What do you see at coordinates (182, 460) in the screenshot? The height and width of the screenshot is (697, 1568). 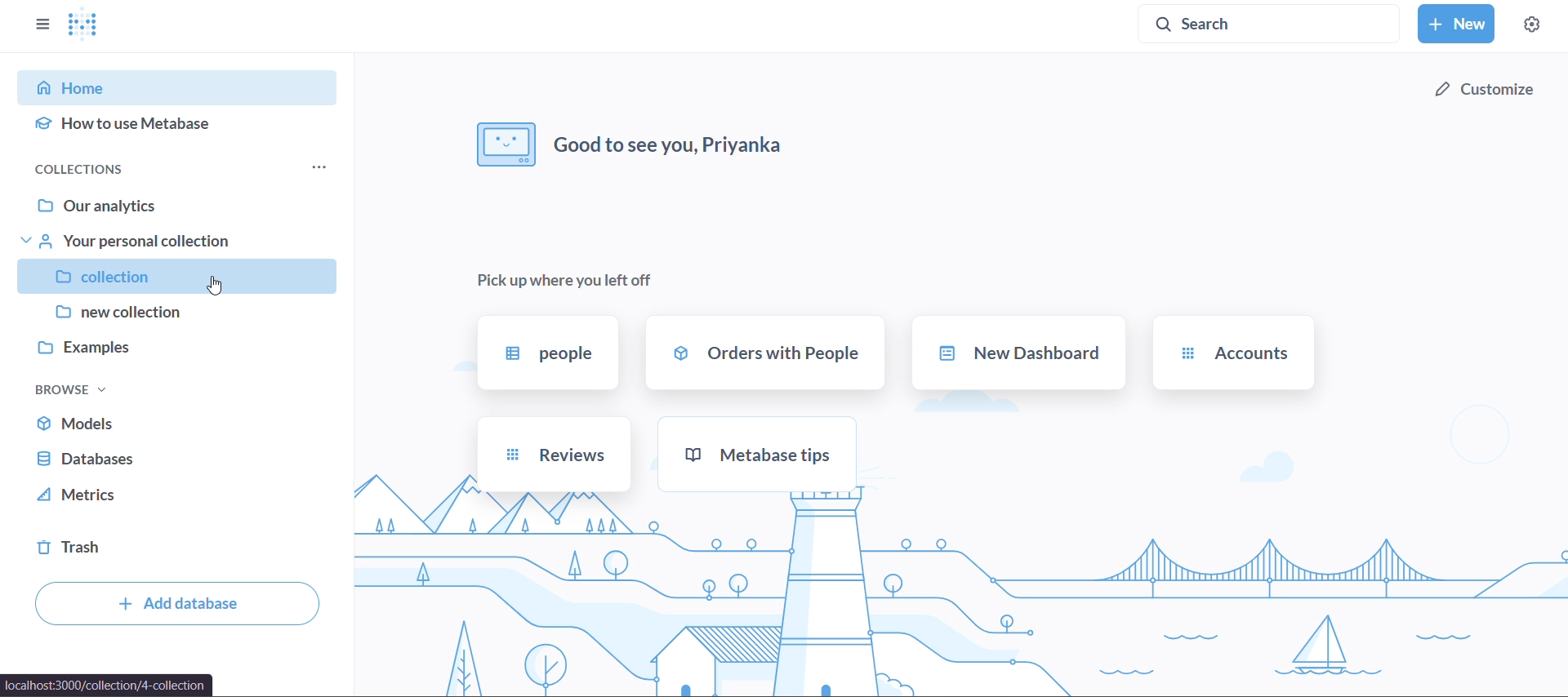 I see `database` at bounding box center [182, 460].